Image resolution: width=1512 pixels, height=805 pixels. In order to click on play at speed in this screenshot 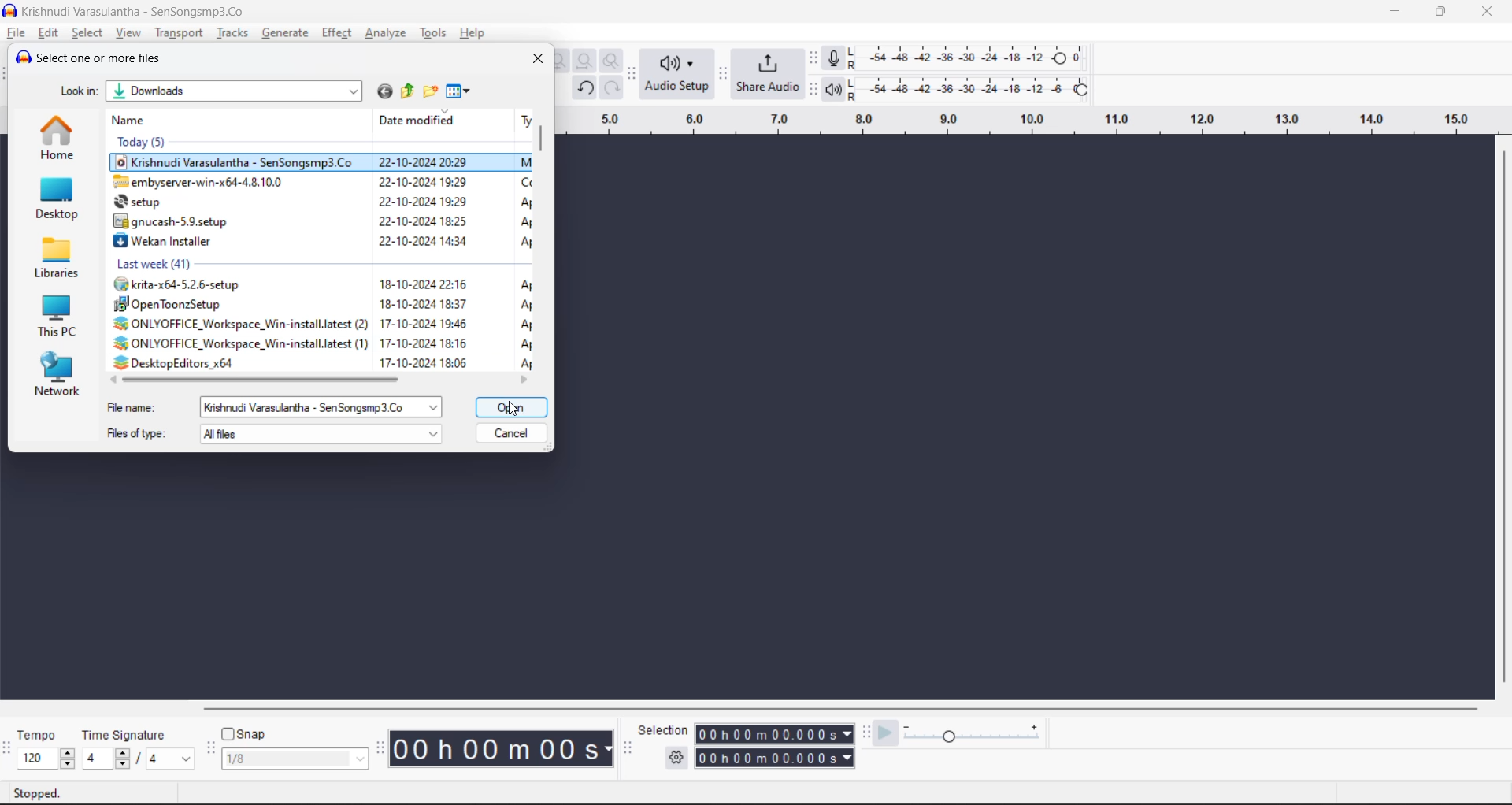, I will do `click(885, 733)`.